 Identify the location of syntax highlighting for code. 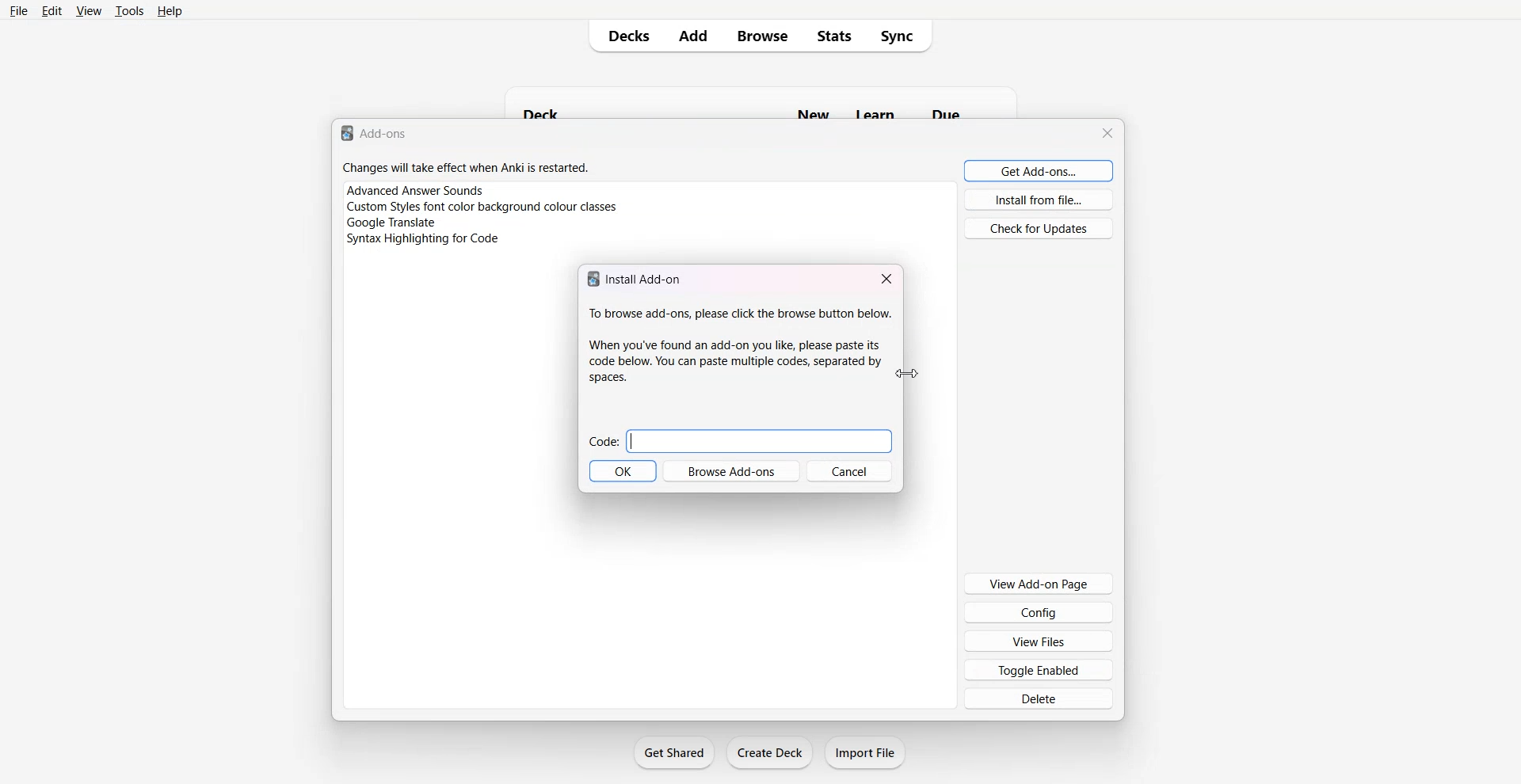
(423, 239).